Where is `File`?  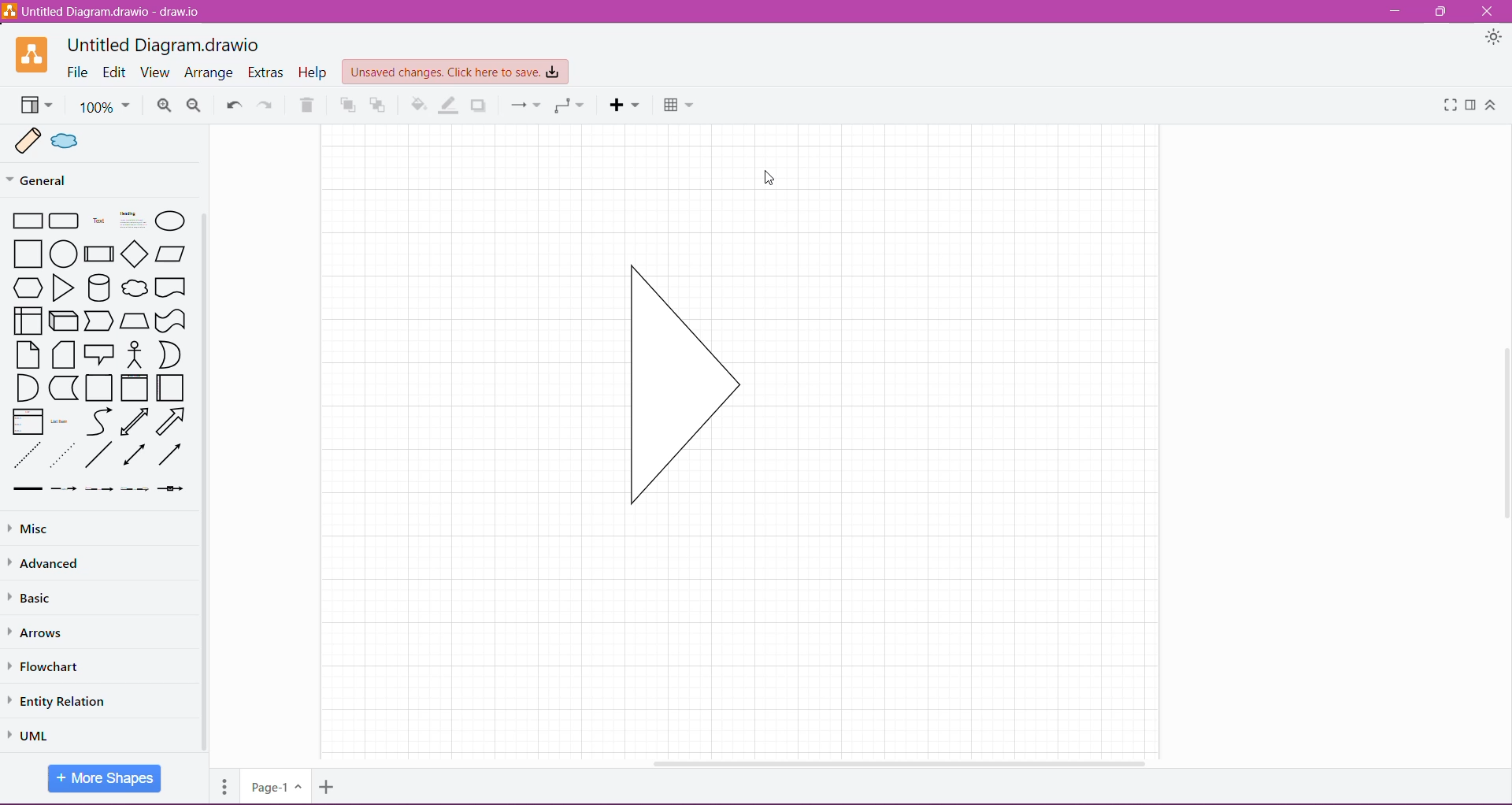 File is located at coordinates (77, 72).